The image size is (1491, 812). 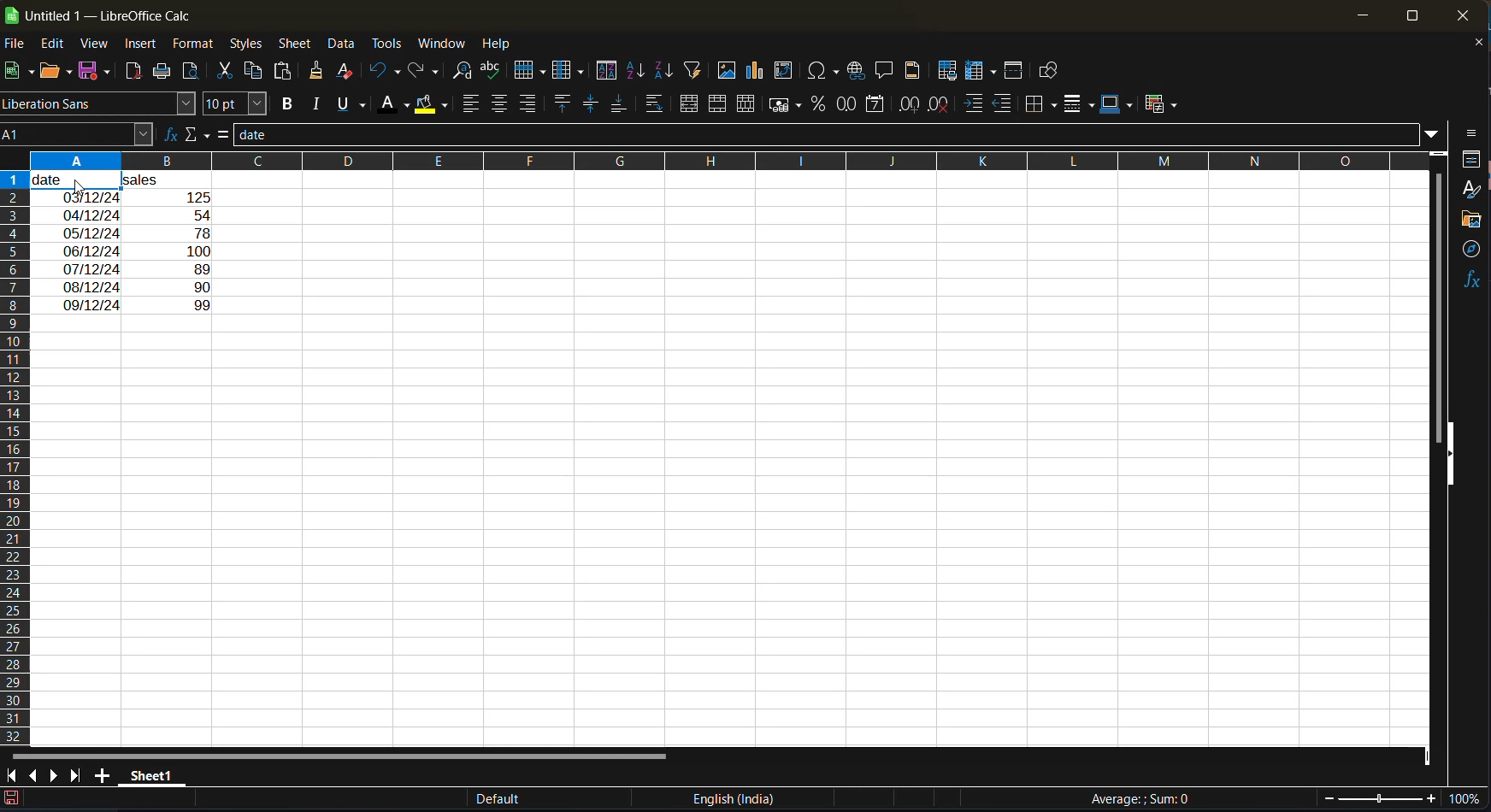 I want to click on insert chart, so click(x=756, y=73).